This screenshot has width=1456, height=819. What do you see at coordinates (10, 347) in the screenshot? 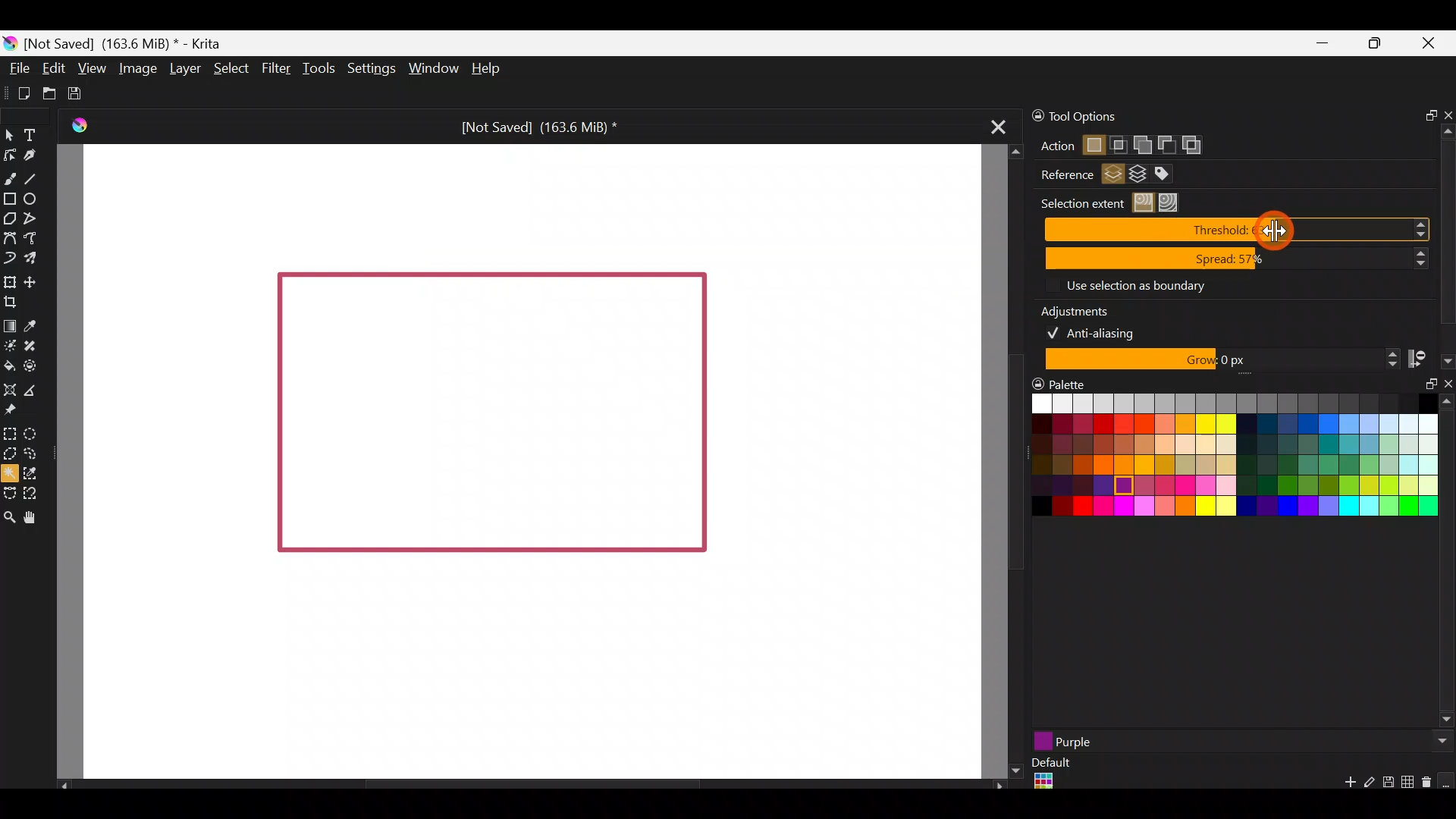
I see `Colourise mask tool` at bounding box center [10, 347].